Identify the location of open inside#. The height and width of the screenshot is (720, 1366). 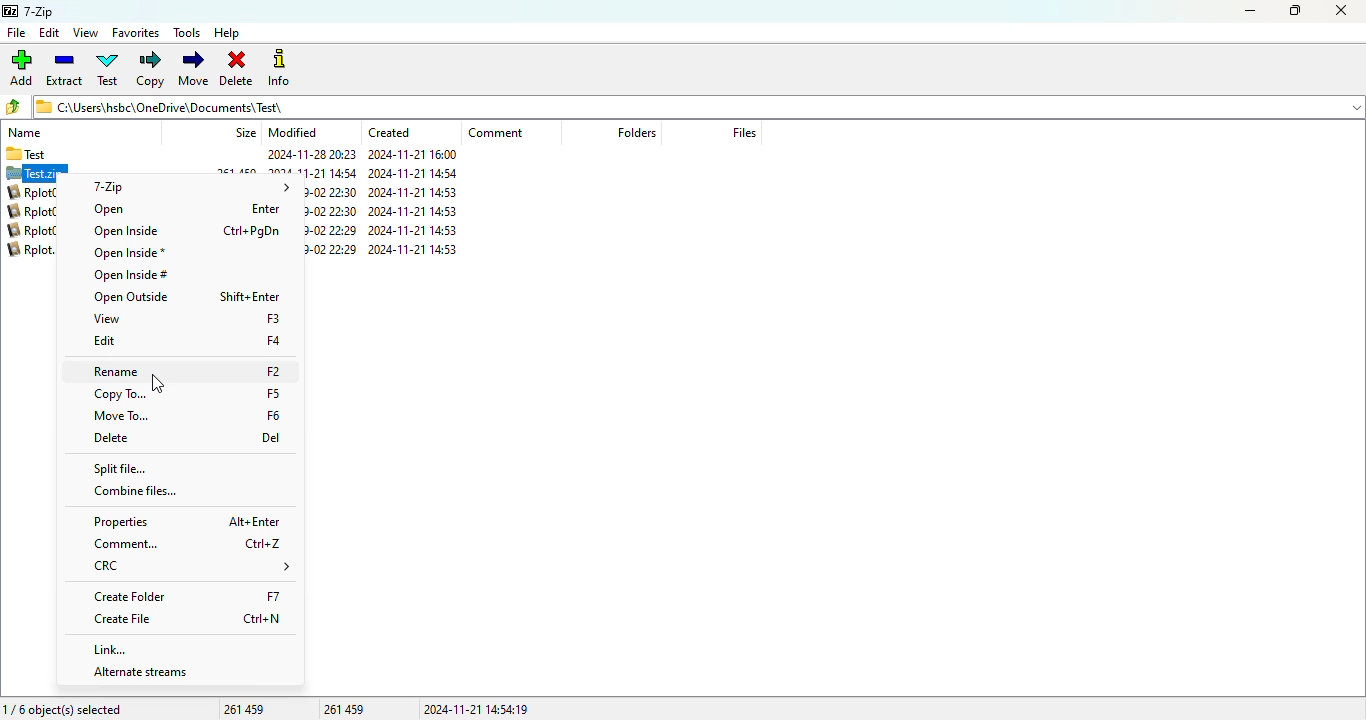
(128, 276).